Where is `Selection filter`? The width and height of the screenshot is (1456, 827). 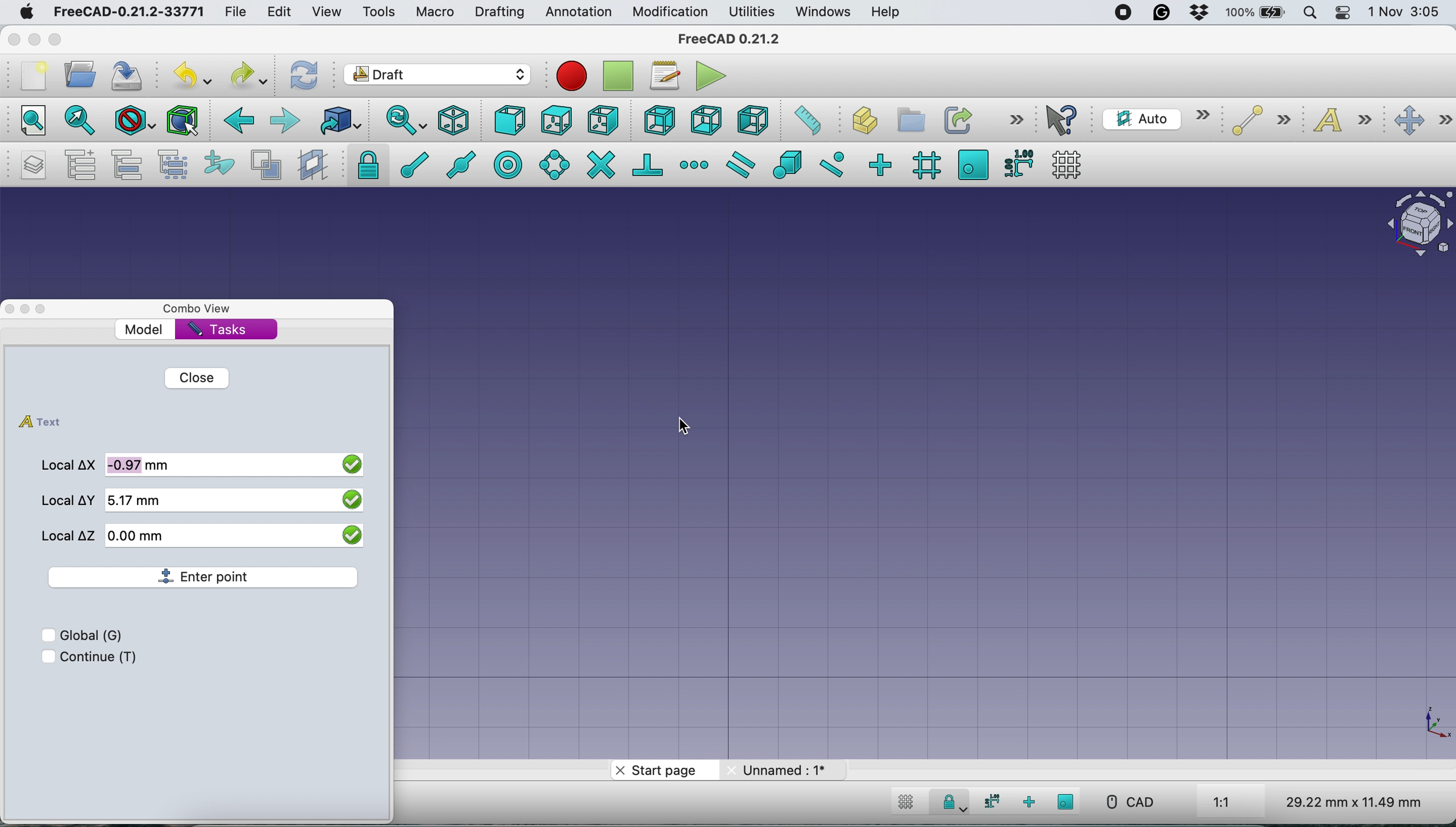
Selection filter is located at coordinates (184, 120).